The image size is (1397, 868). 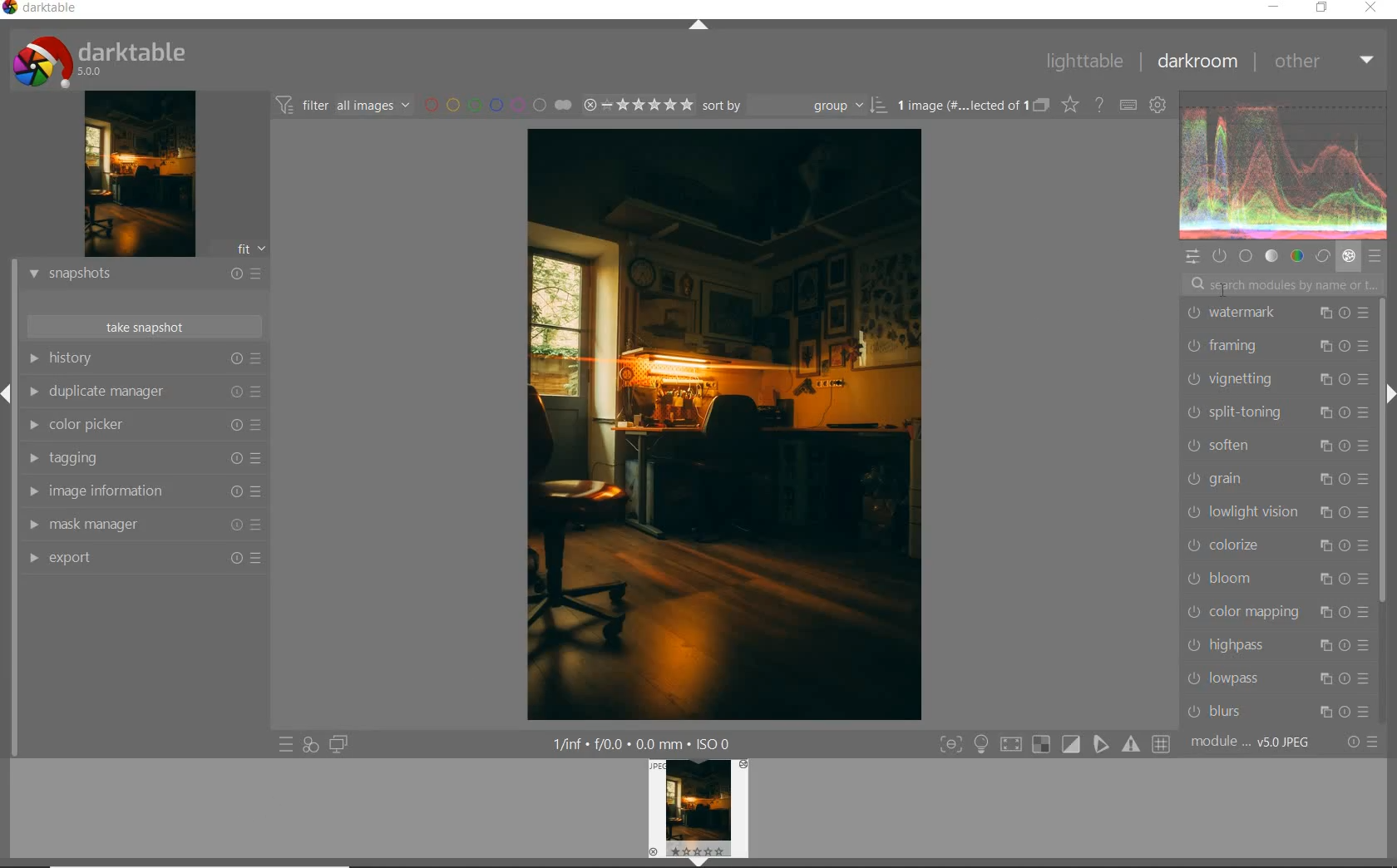 I want to click on tagging, so click(x=144, y=457).